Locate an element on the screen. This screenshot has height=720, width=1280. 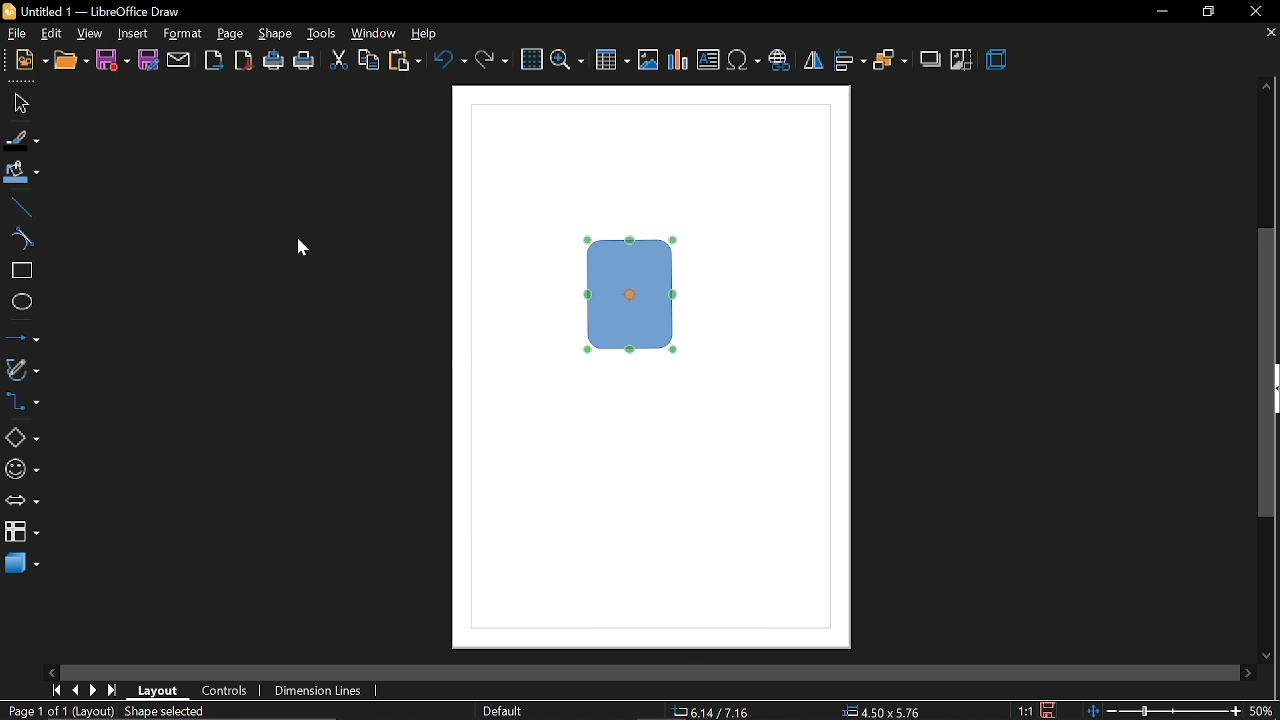
arrows is located at coordinates (21, 500).